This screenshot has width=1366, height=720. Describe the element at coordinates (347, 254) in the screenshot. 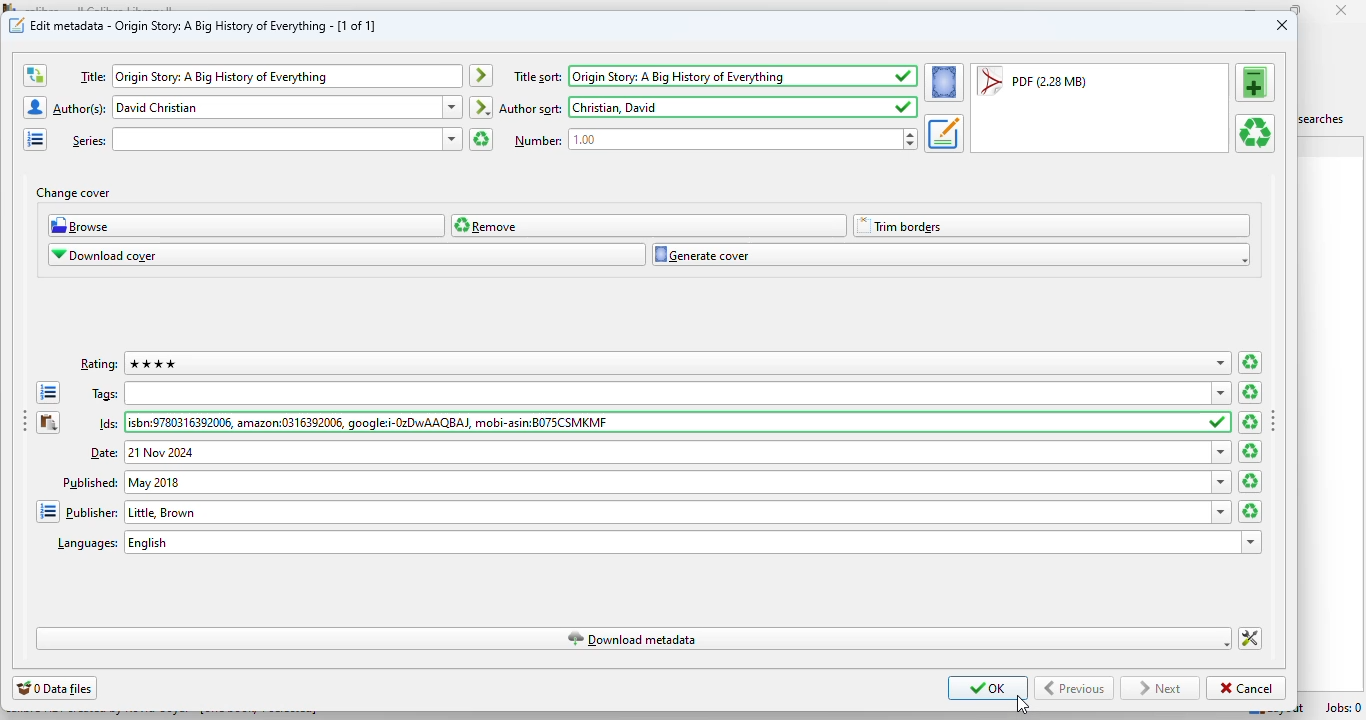

I see `download cover` at that location.